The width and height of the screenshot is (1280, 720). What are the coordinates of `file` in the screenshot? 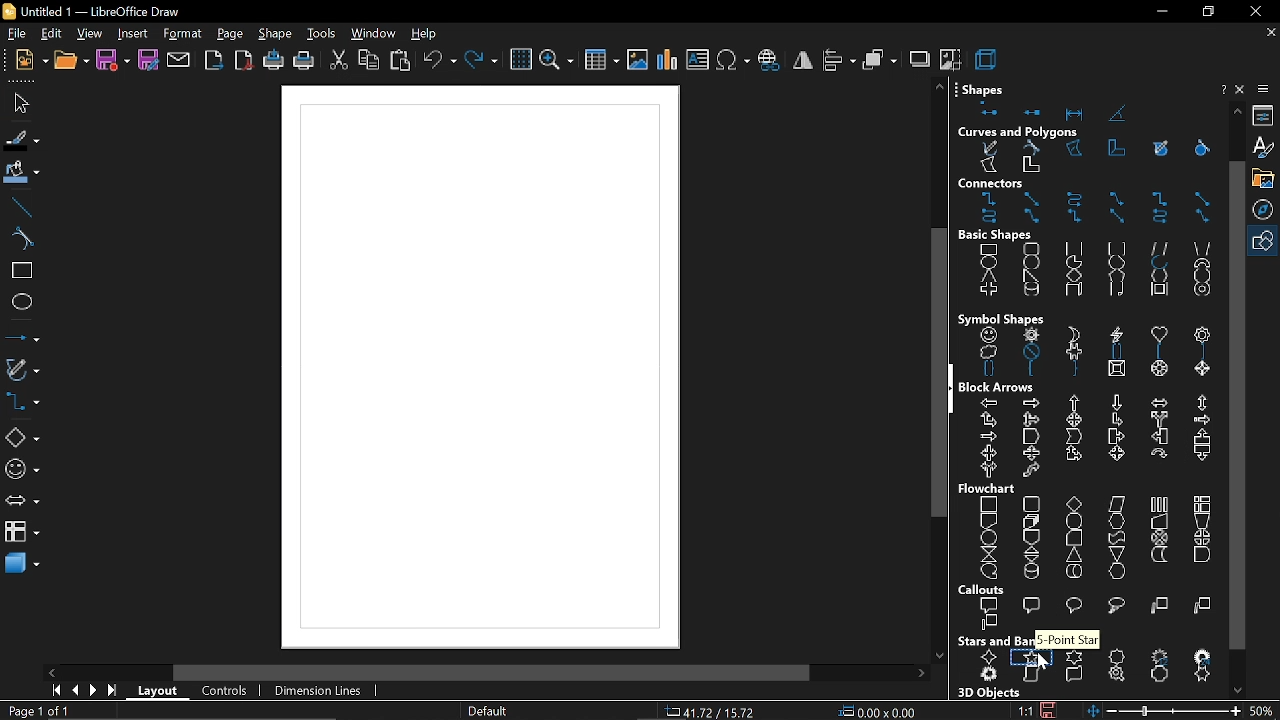 It's located at (14, 34).